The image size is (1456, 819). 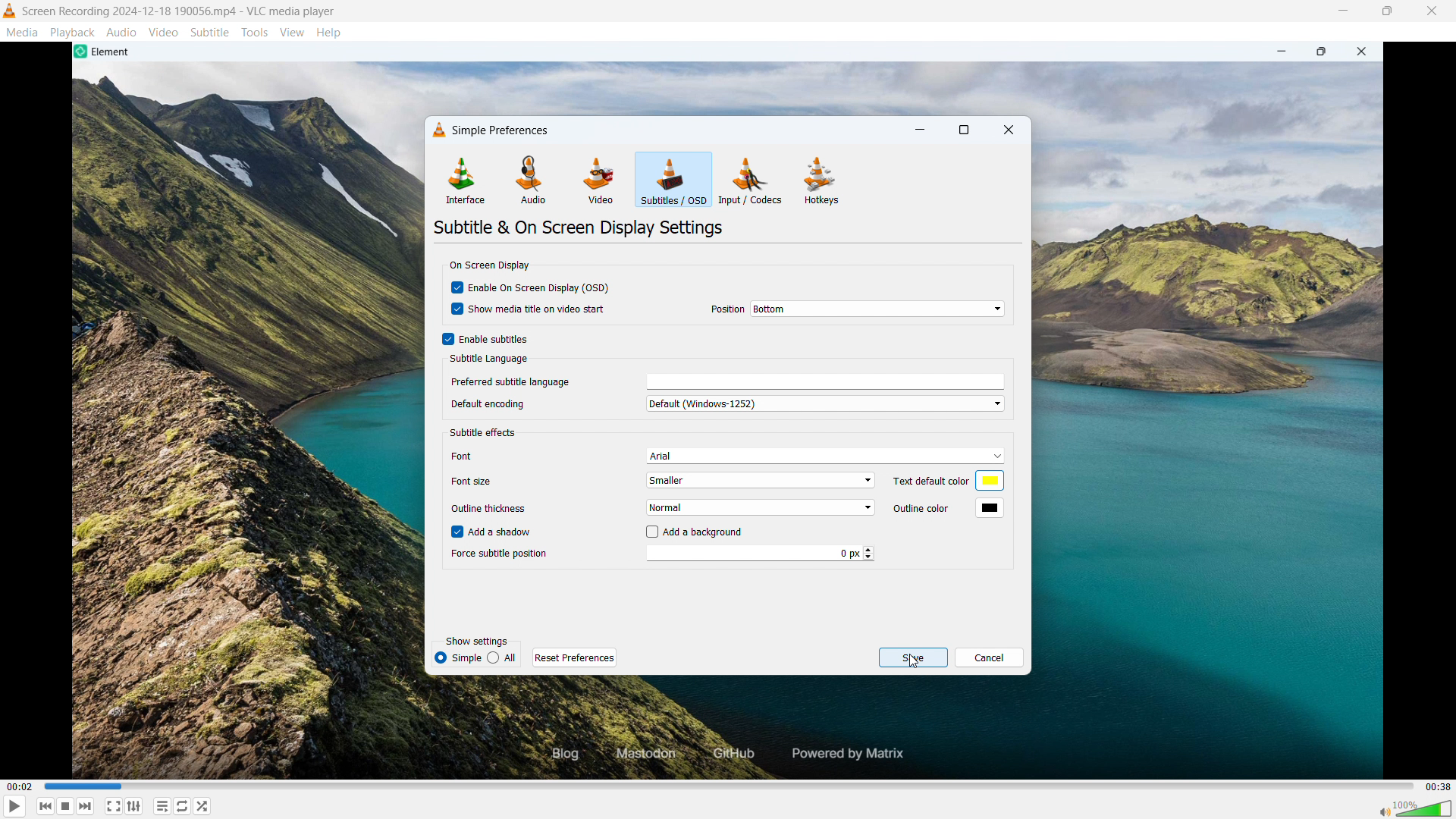 What do you see at coordinates (122, 32) in the screenshot?
I see `Audio ` at bounding box center [122, 32].